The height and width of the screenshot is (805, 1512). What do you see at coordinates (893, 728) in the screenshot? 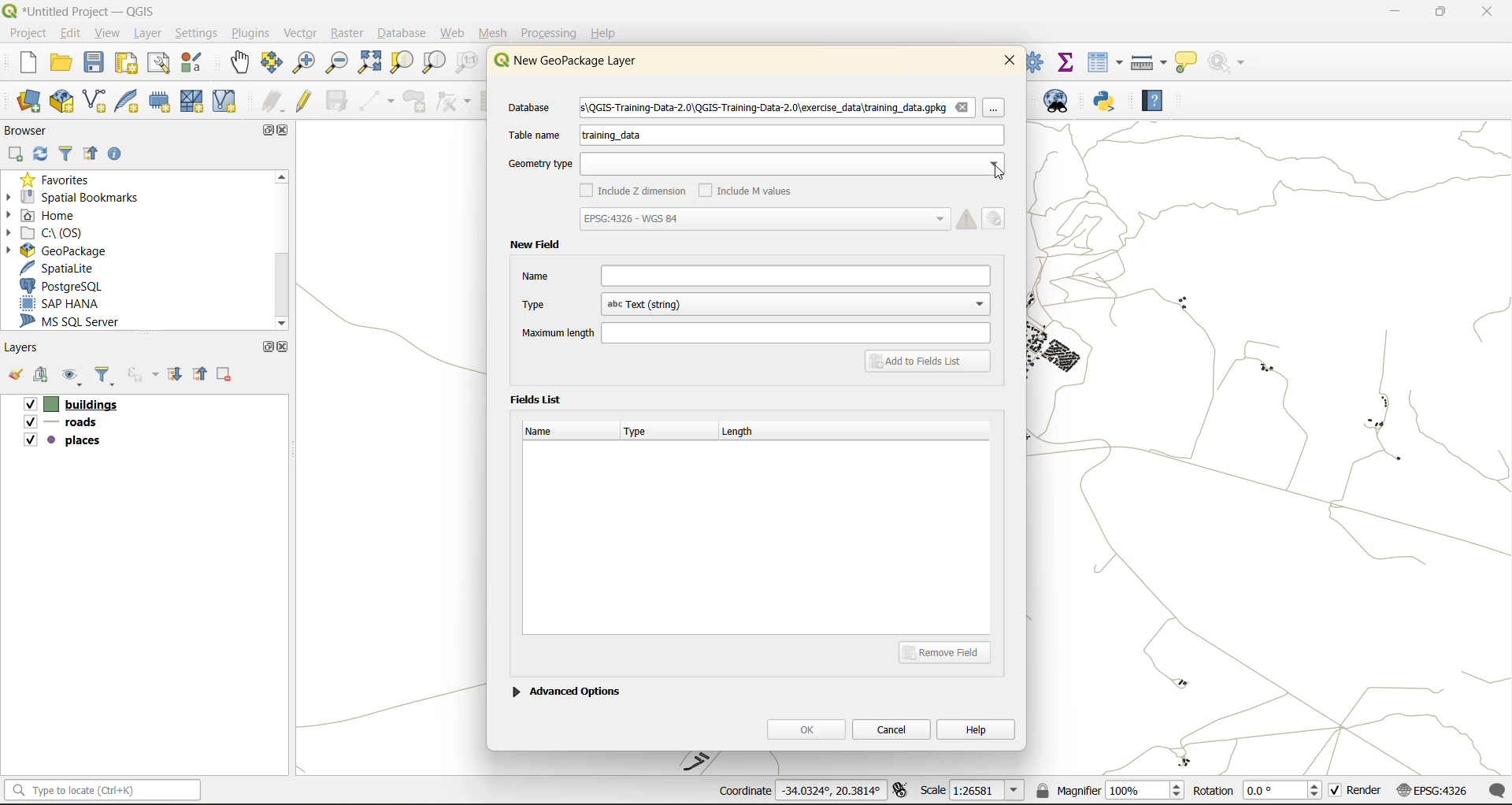
I see `cancel` at bounding box center [893, 728].